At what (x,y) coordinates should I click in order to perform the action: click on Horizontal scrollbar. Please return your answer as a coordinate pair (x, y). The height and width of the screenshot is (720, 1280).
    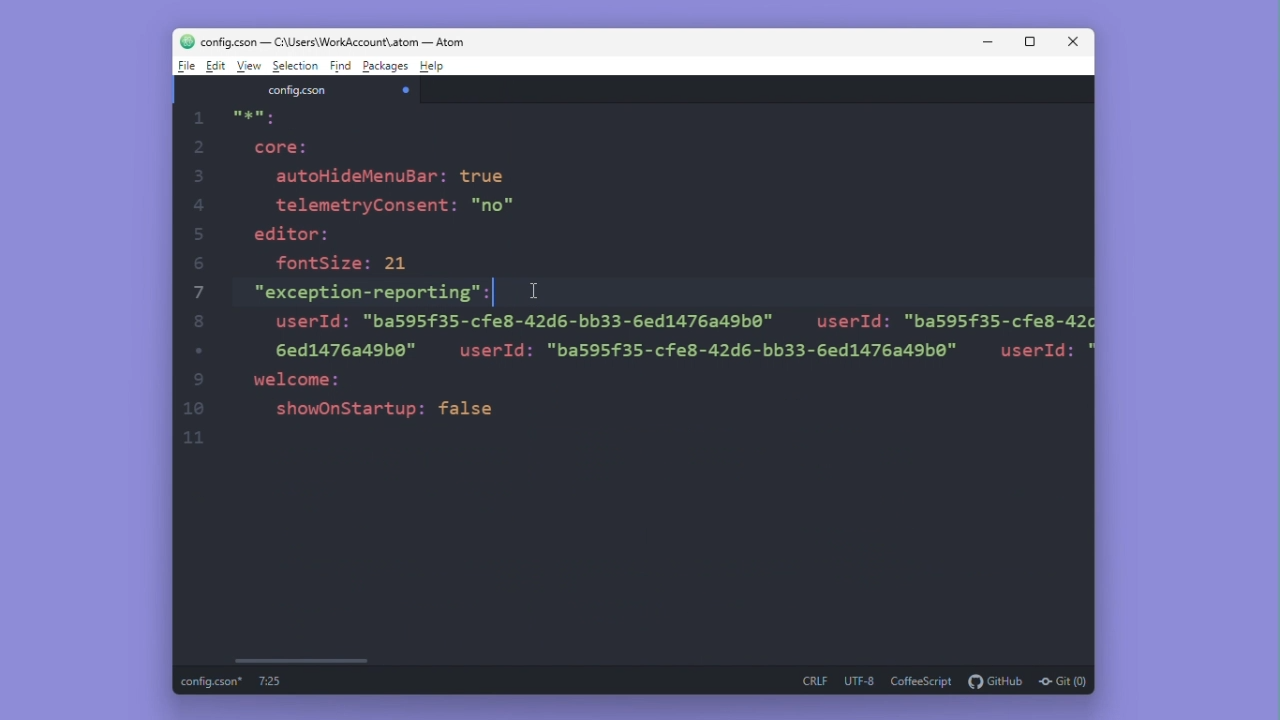
    Looking at the image, I should click on (331, 662).